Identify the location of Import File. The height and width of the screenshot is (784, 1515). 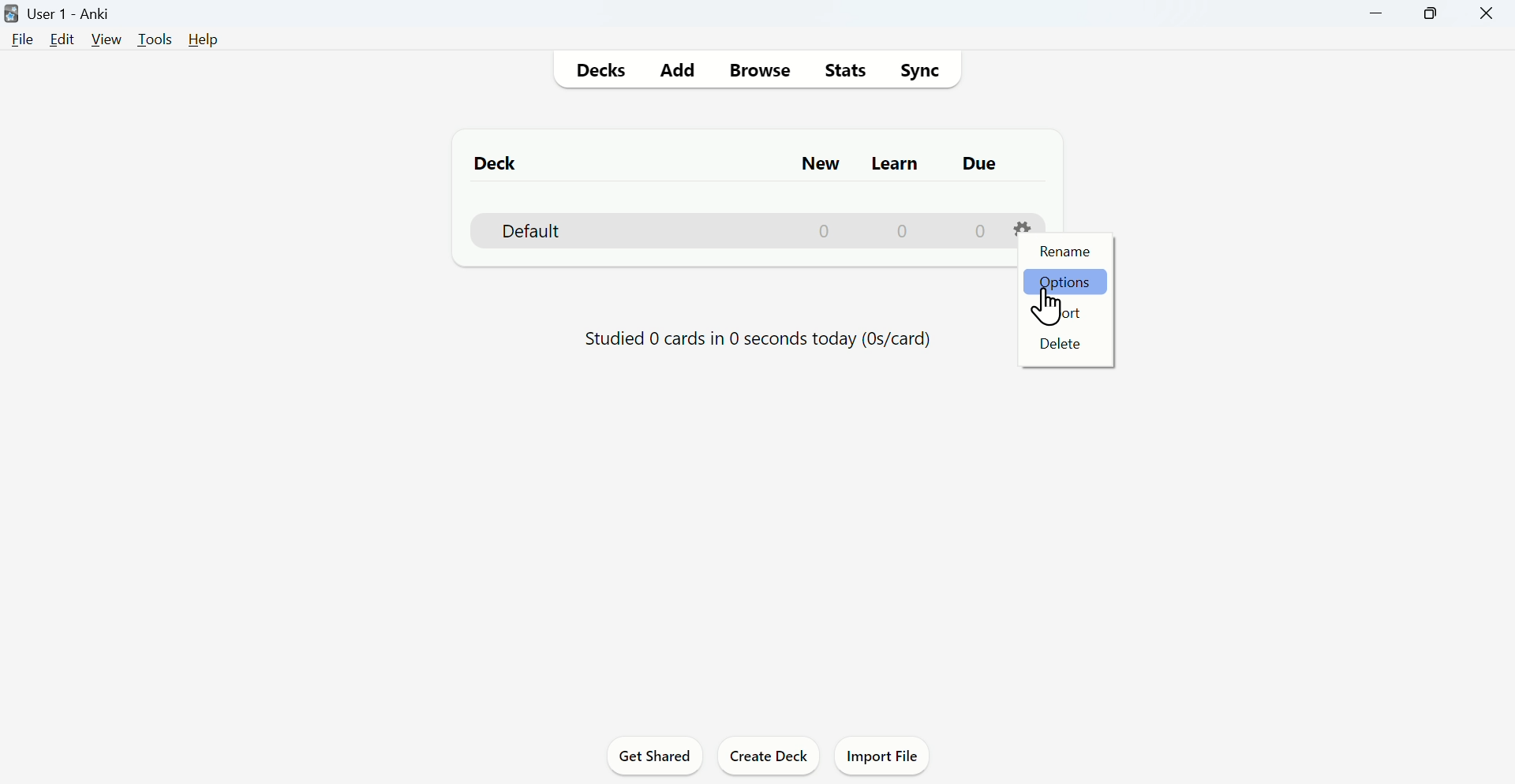
(883, 755).